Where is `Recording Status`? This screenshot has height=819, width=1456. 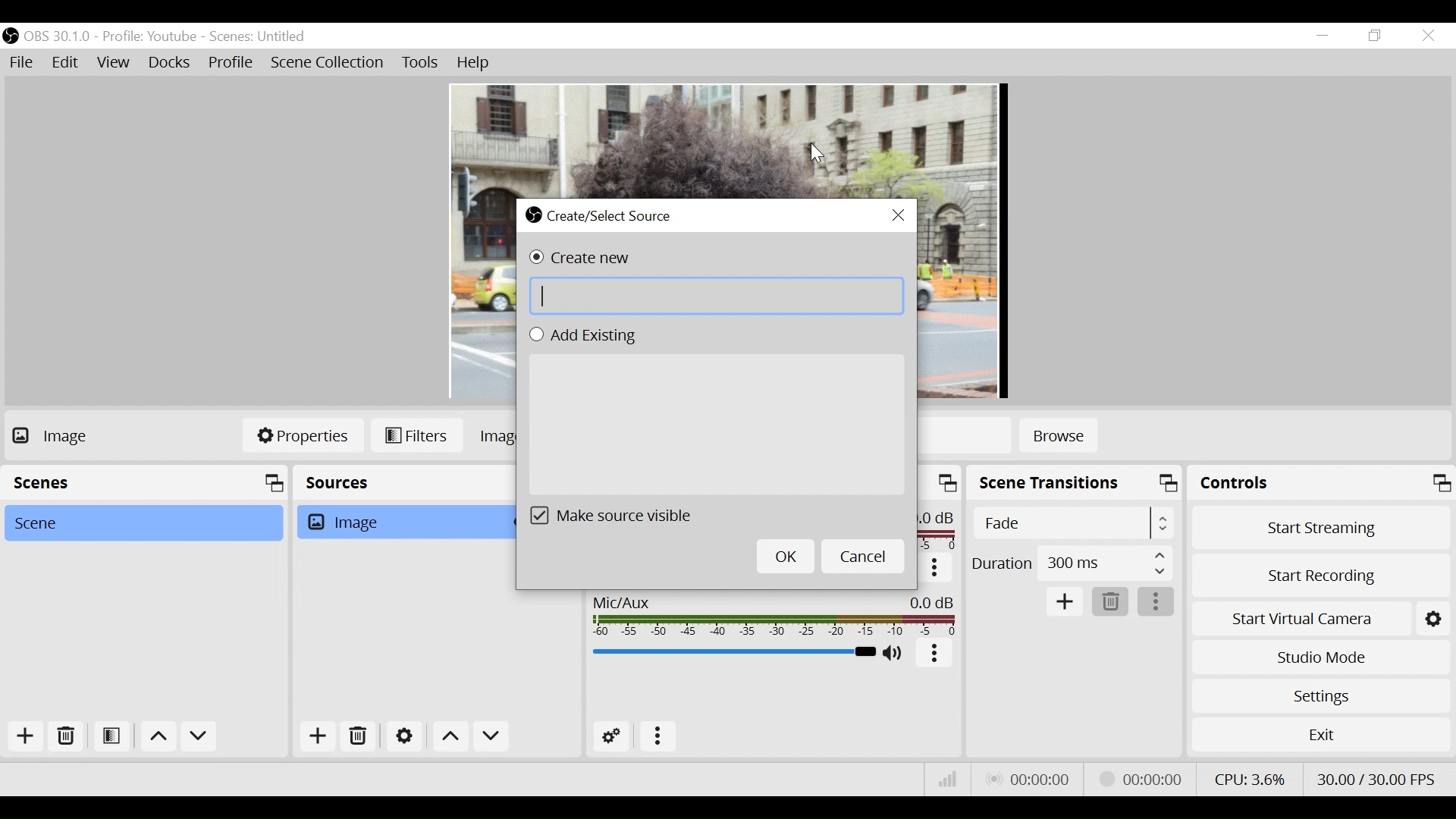
Recording Status is located at coordinates (1141, 779).